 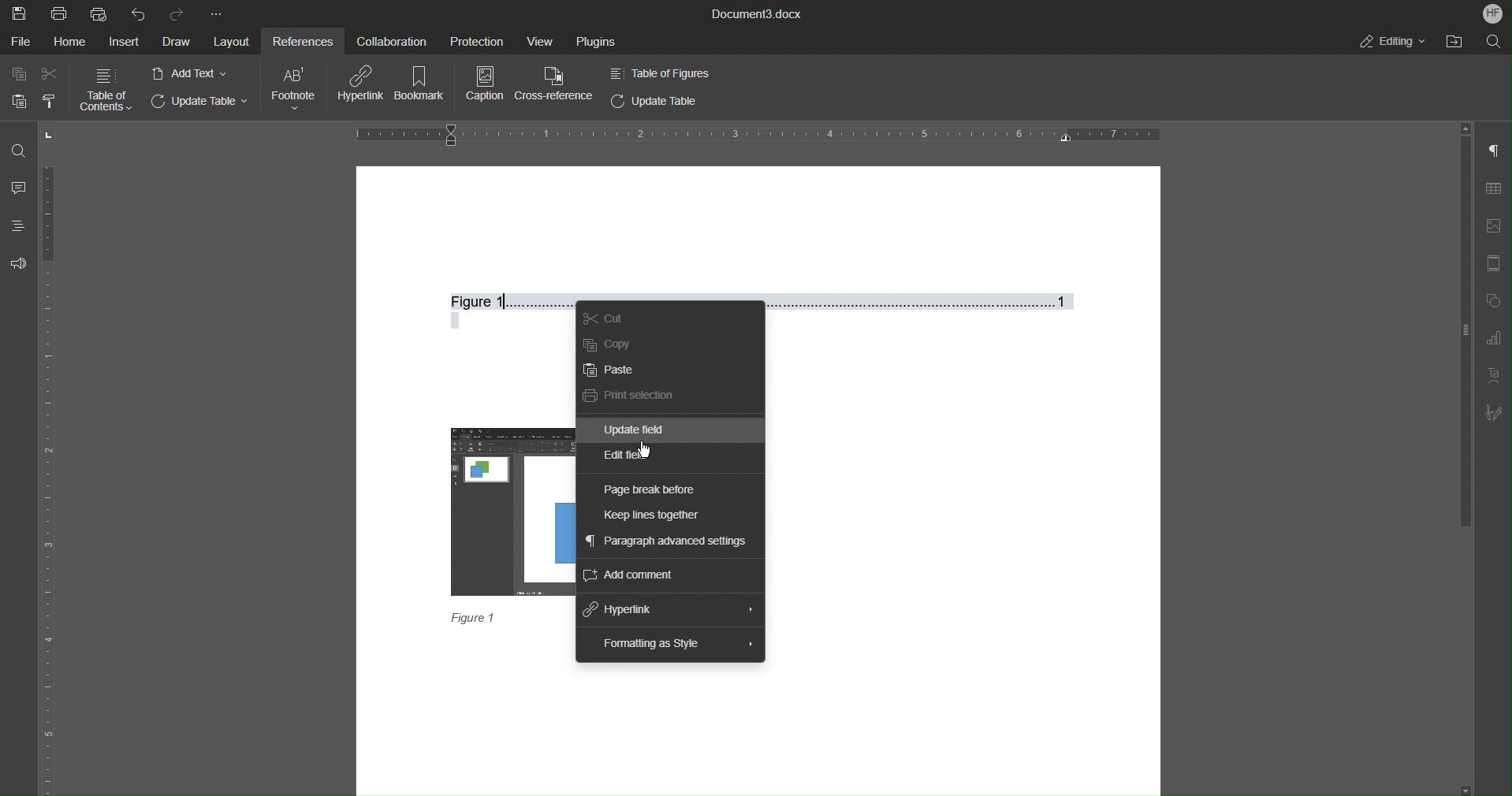 What do you see at coordinates (1496, 415) in the screenshot?
I see `Signature` at bounding box center [1496, 415].